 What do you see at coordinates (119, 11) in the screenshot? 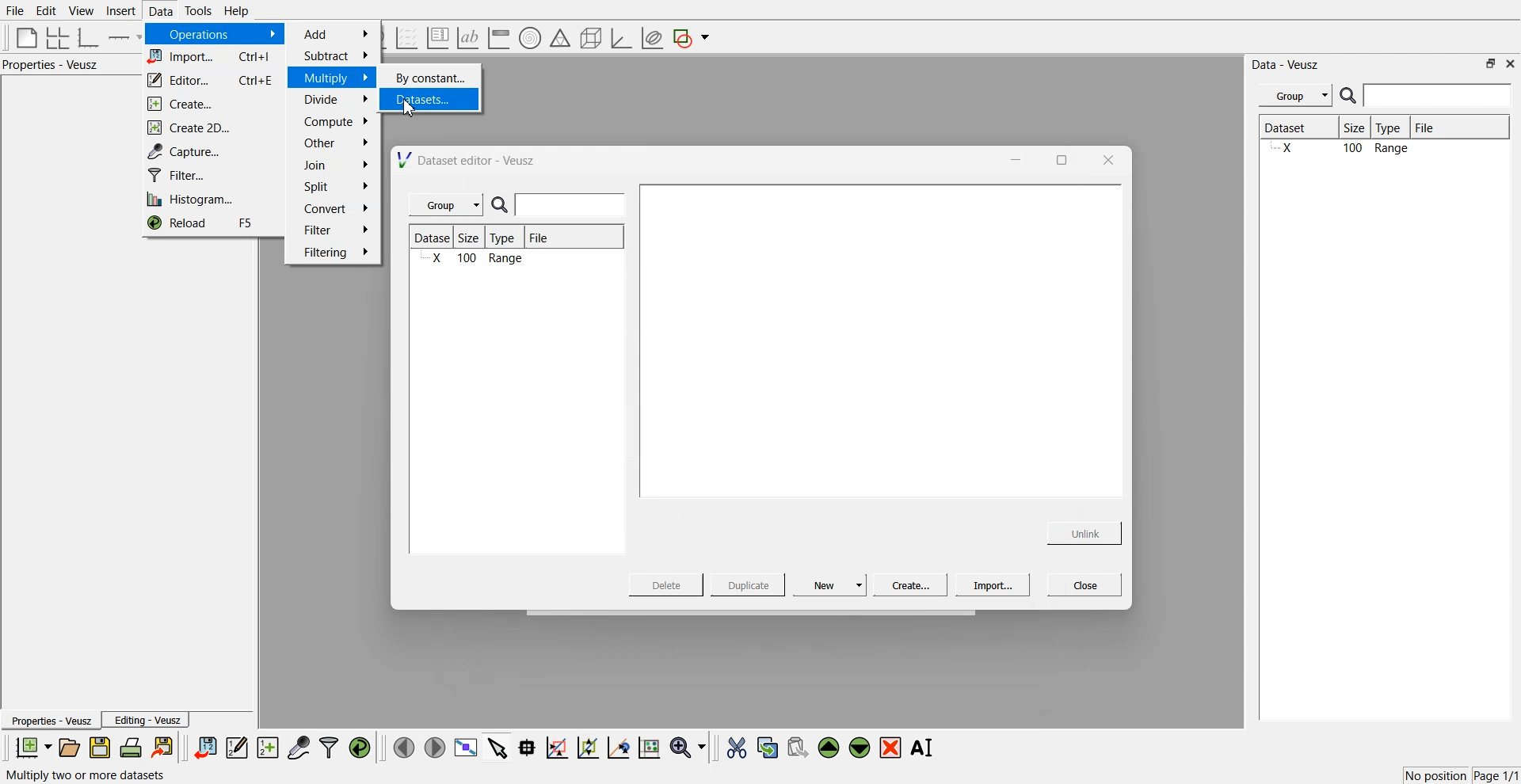
I see `Insert` at bounding box center [119, 11].